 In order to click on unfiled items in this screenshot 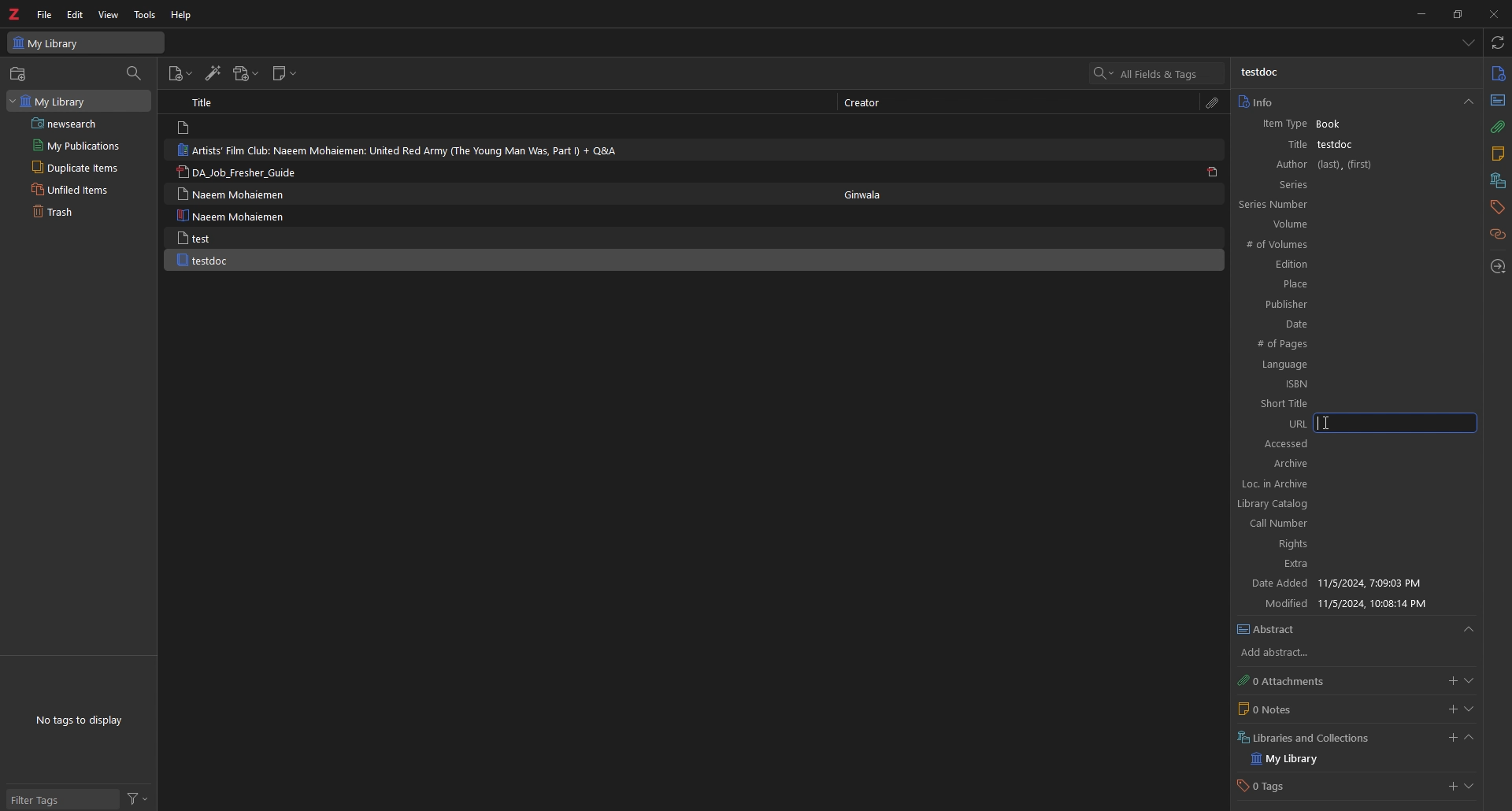, I will do `click(72, 190)`.